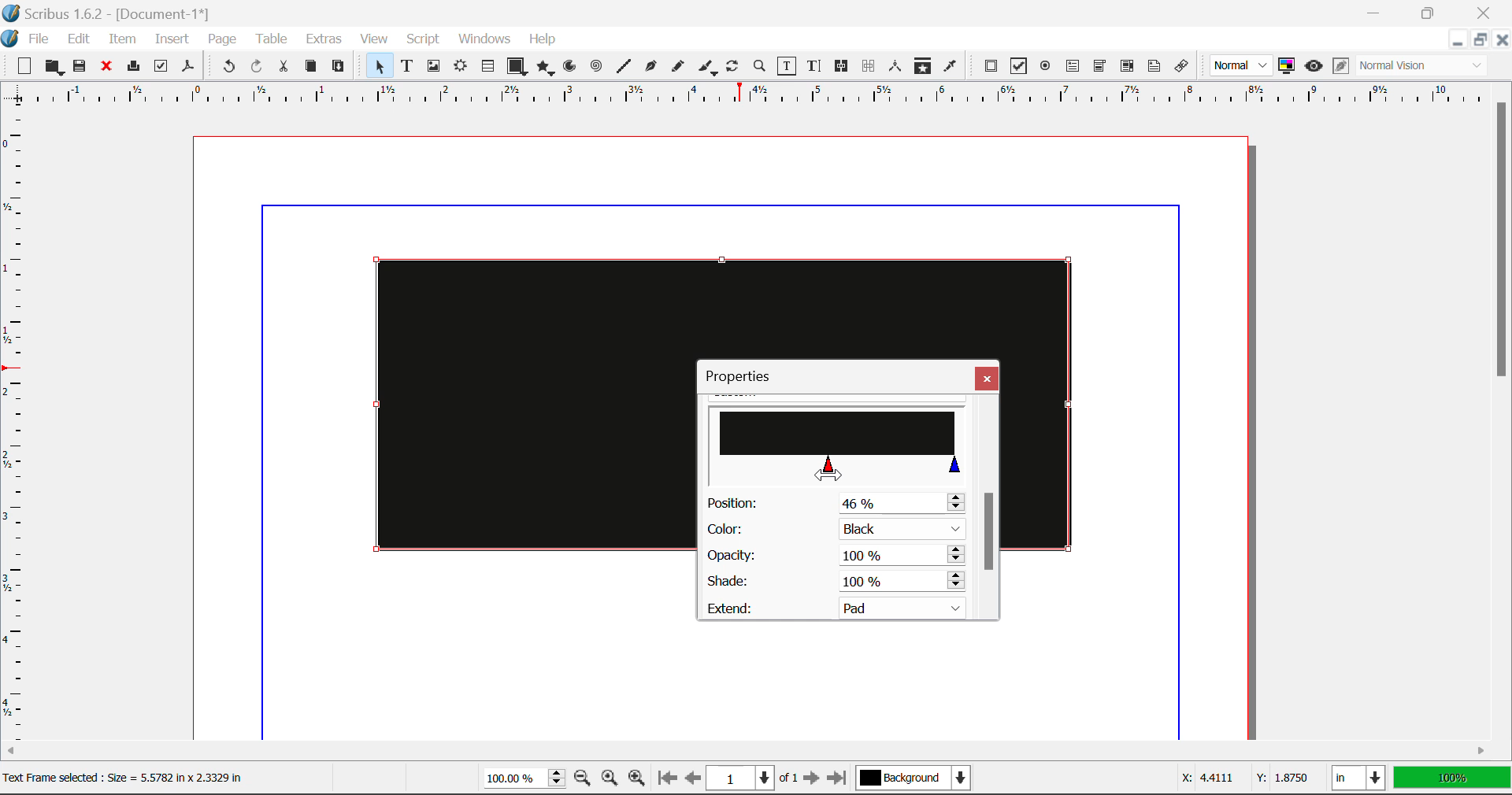 This screenshot has height=795, width=1512. What do you see at coordinates (1376, 11) in the screenshot?
I see `Restore Down` at bounding box center [1376, 11].